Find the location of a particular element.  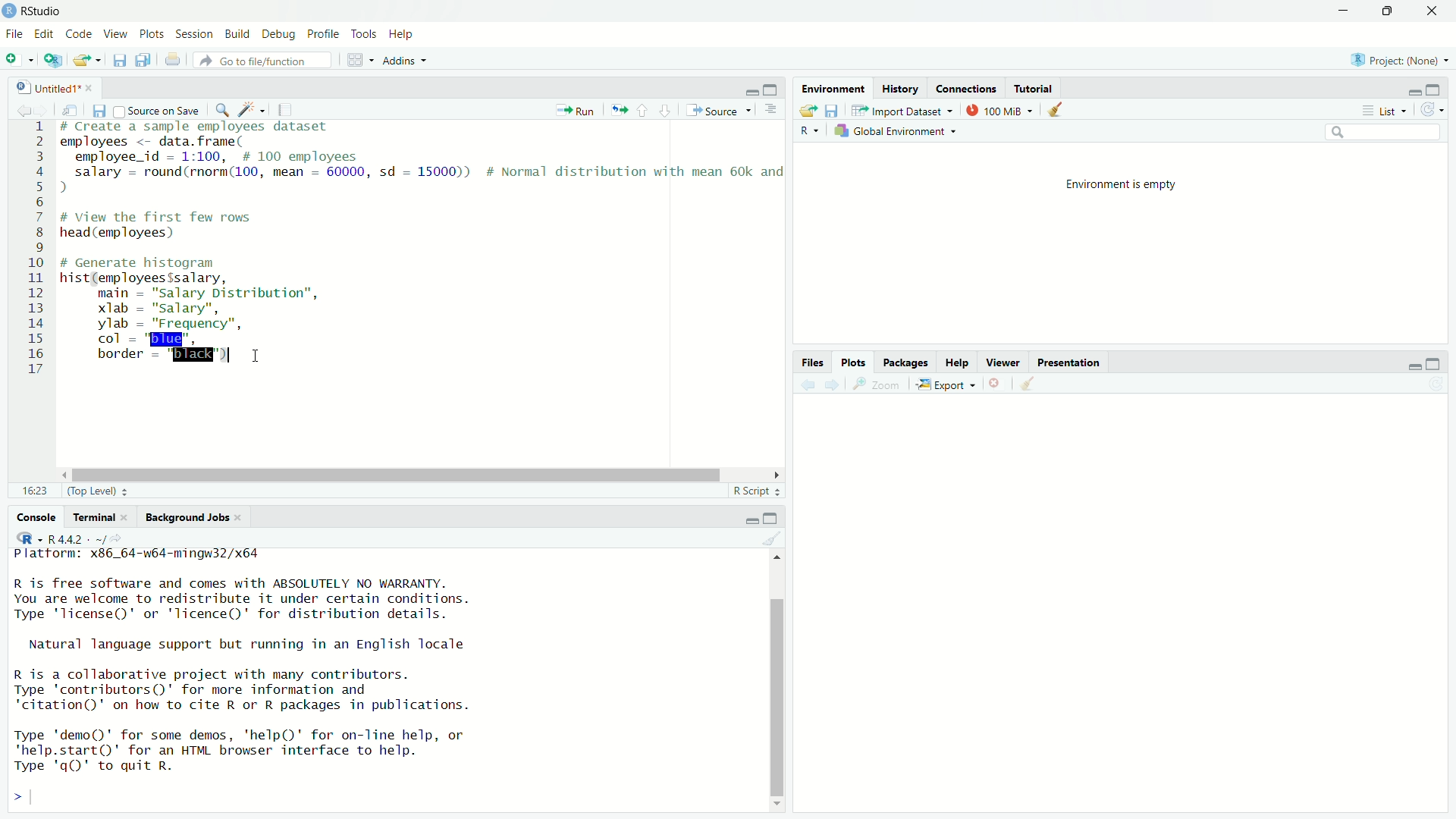

Environment is located at coordinates (834, 89).